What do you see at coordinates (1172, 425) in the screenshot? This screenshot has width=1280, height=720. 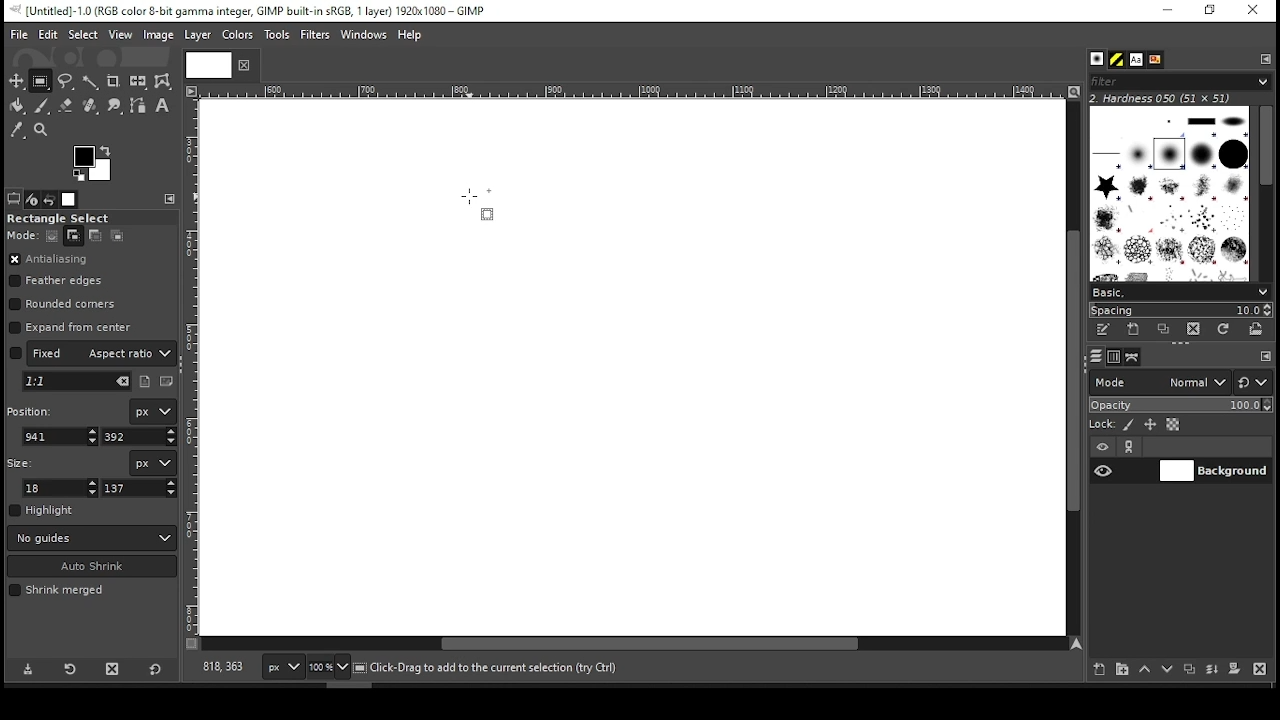 I see `lock alpha channel` at bounding box center [1172, 425].